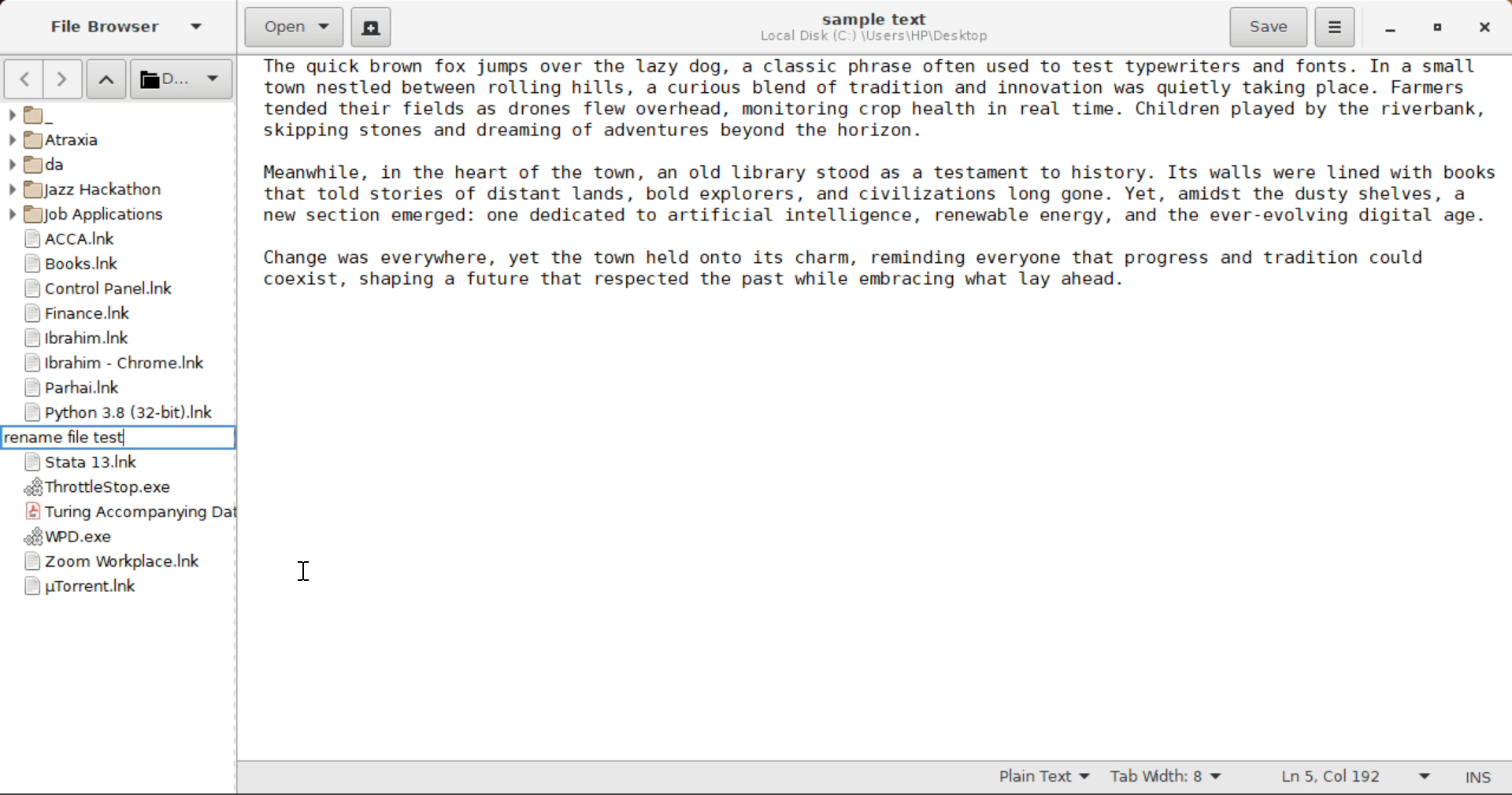 Image resolution: width=1512 pixels, height=795 pixels. What do you see at coordinates (119, 239) in the screenshot?
I see `ACCA Folder Shortcut Link` at bounding box center [119, 239].